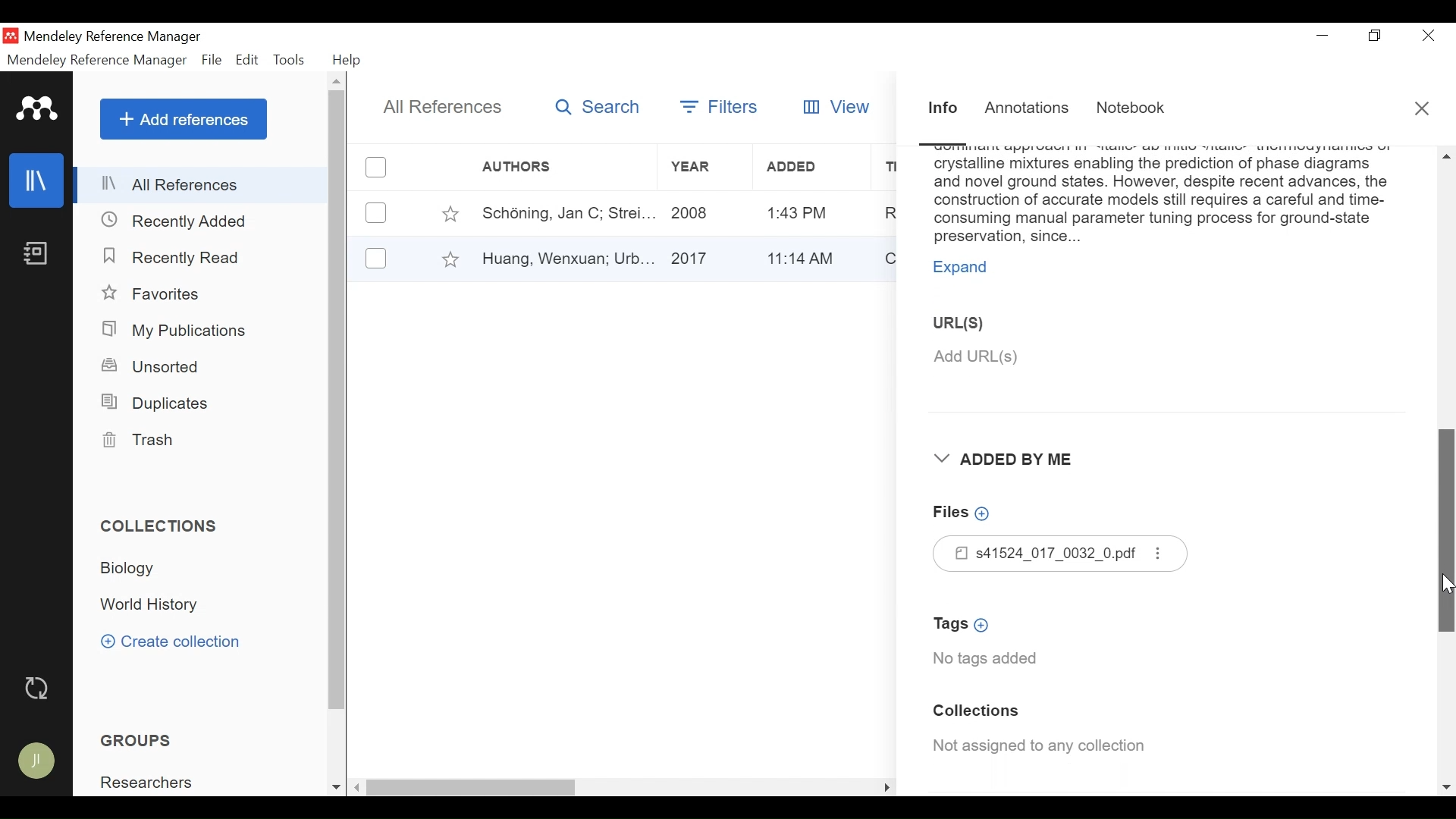  Describe the element at coordinates (1028, 110) in the screenshot. I see `Annotations` at that location.